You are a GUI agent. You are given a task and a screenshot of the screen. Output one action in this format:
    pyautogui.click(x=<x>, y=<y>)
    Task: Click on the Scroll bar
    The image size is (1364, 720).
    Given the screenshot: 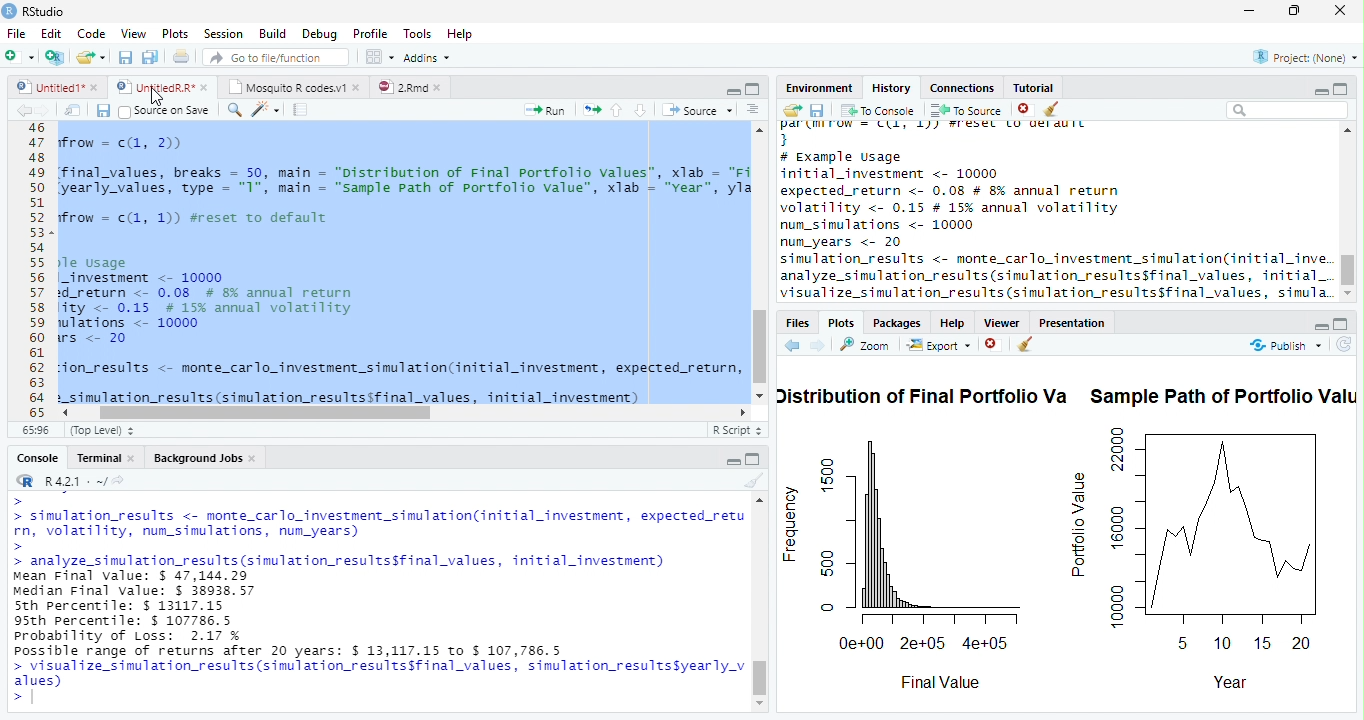 What is the action you would take?
    pyautogui.click(x=1349, y=270)
    